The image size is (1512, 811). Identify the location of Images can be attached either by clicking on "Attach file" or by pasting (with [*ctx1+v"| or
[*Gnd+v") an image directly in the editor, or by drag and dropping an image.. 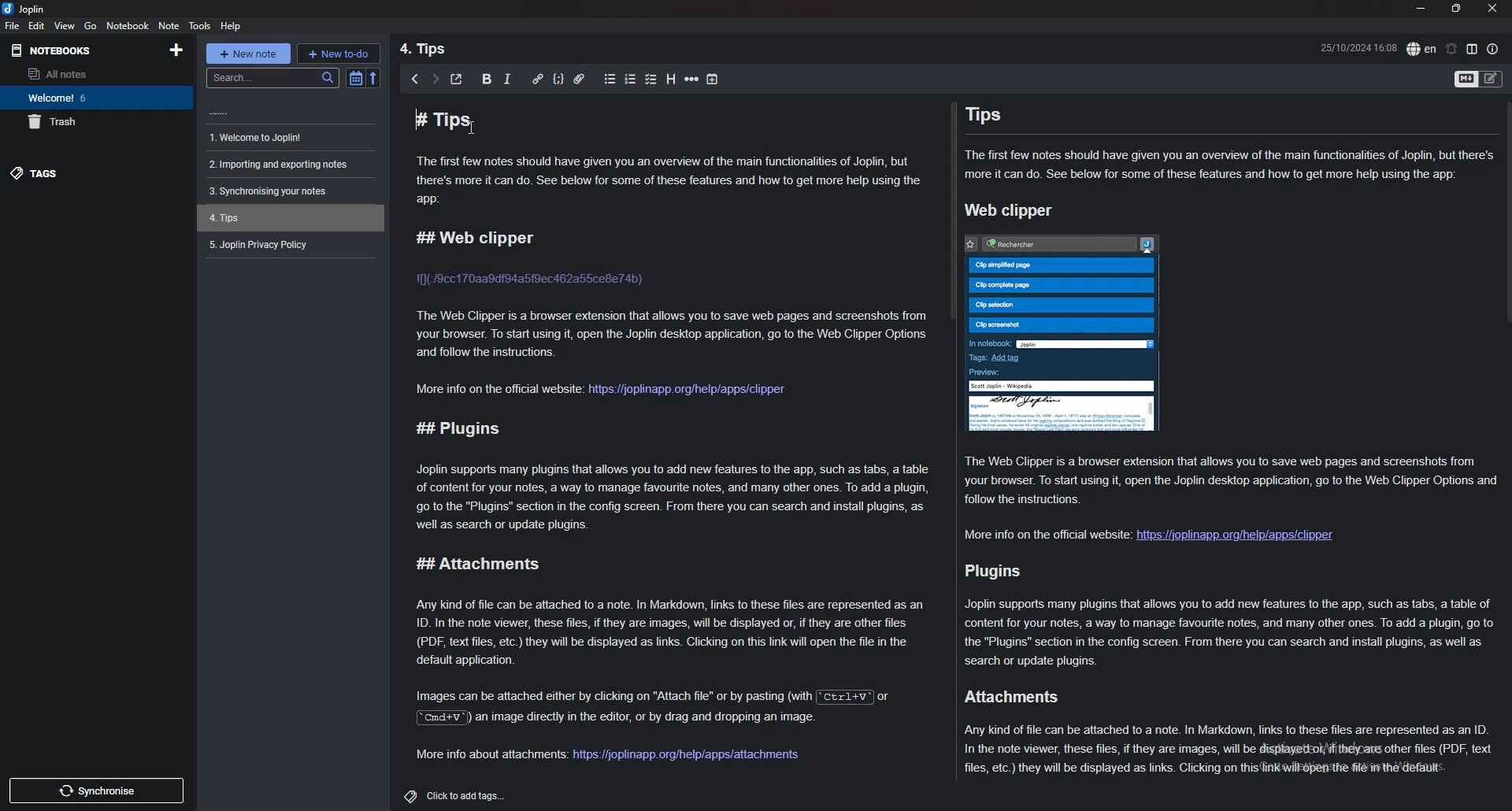
(663, 709).